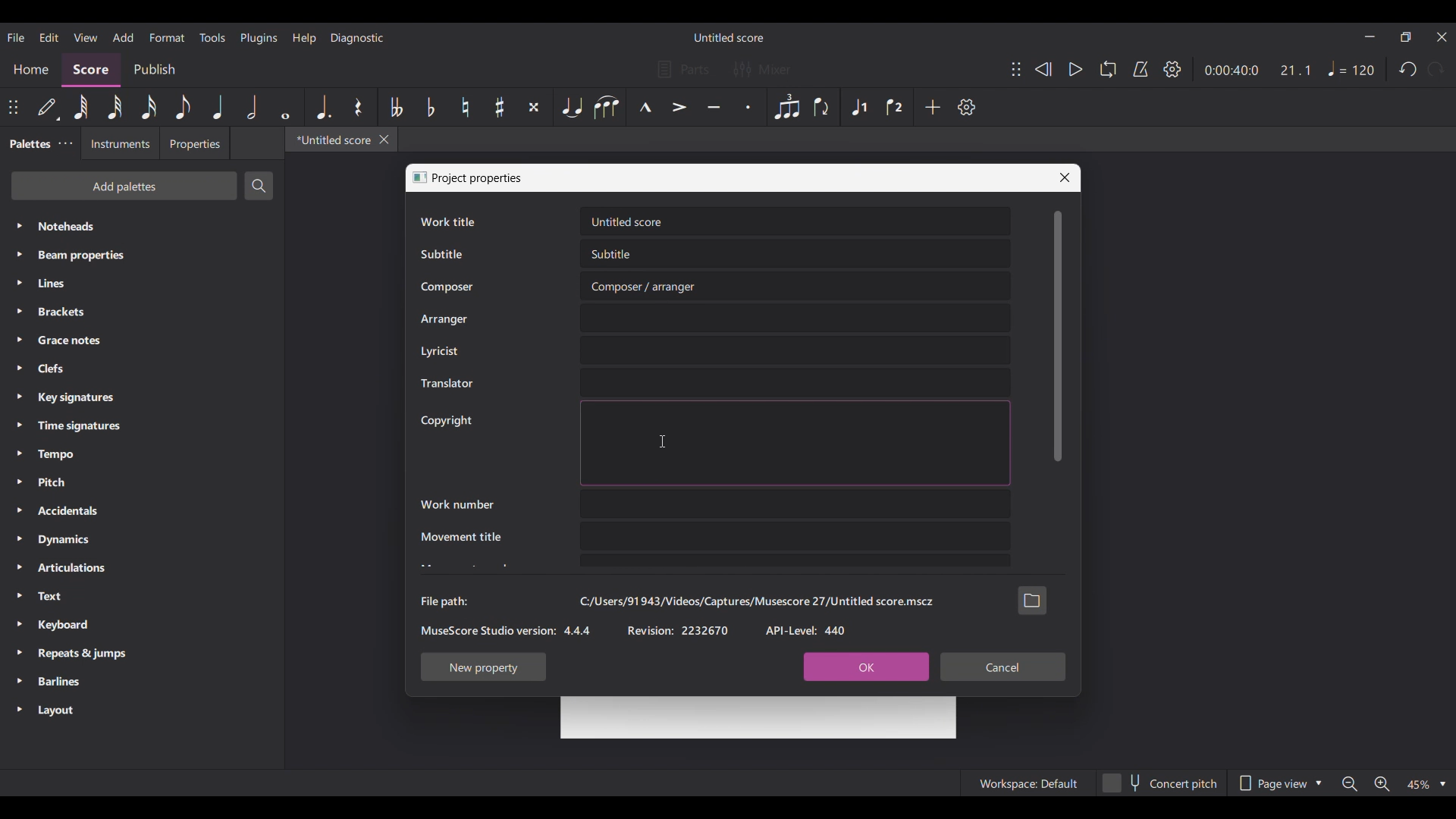 This screenshot has width=1456, height=819. I want to click on Zoom out, so click(1349, 784).